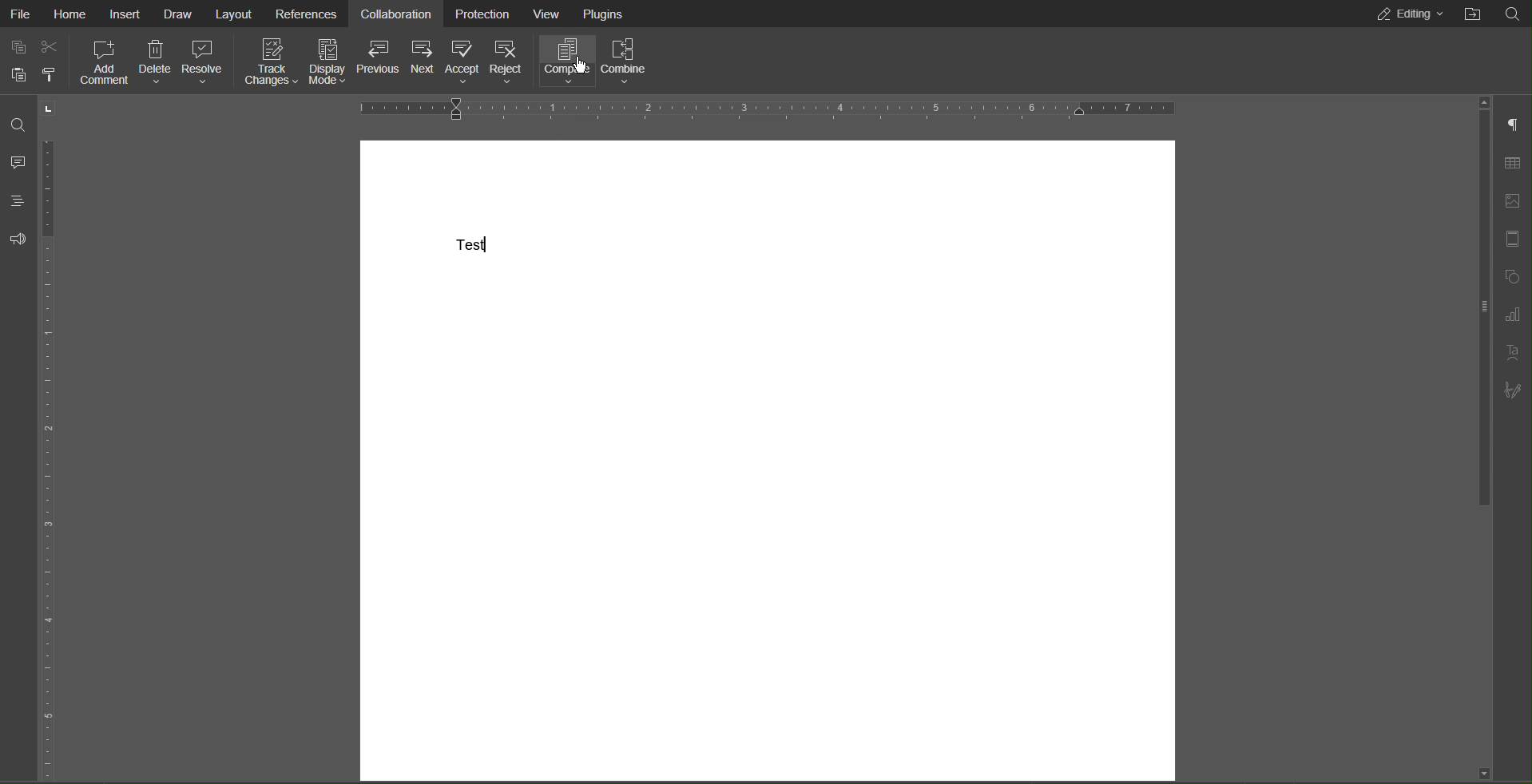 This screenshot has height=784, width=1532. I want to click on Compare, so click(566, 63).